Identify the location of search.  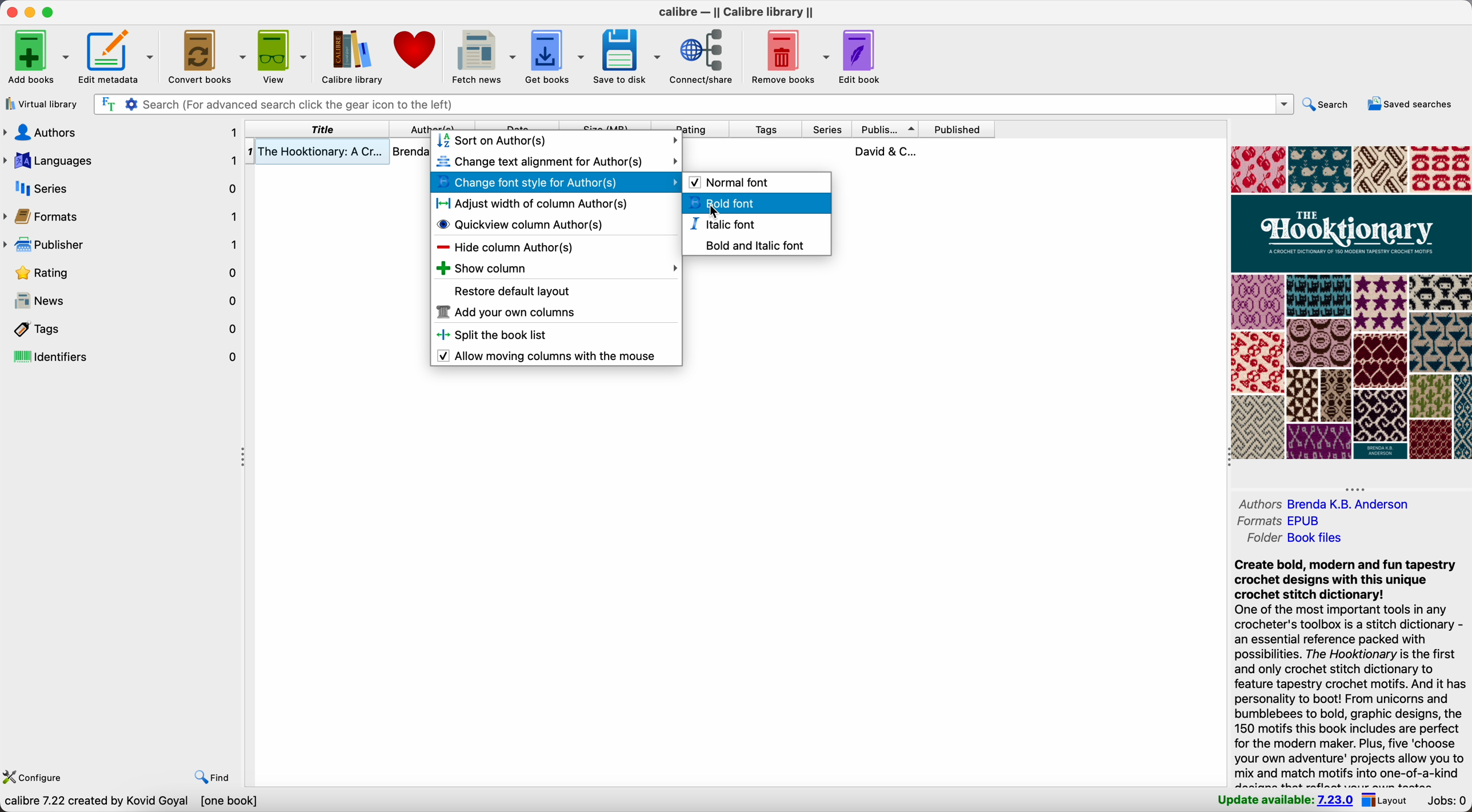
(1330, 105).